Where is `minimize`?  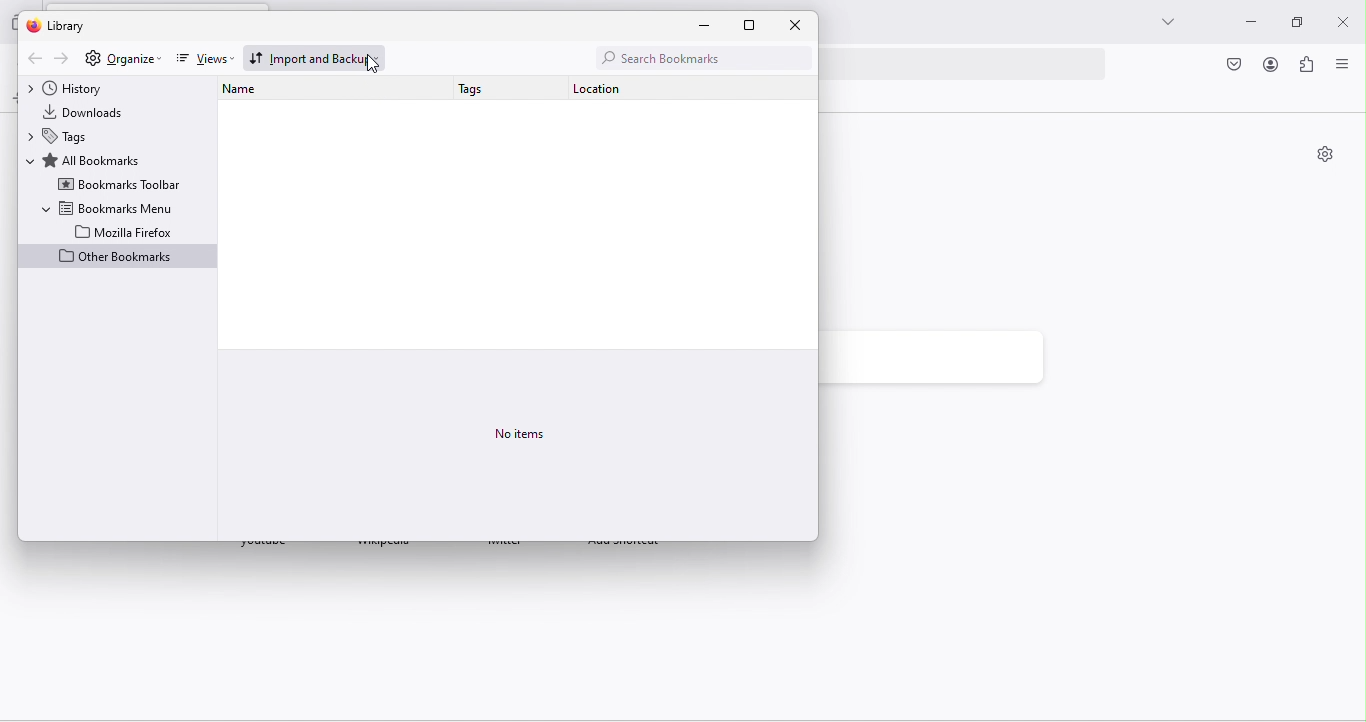
minimize is located at coordinates (1250, 23).